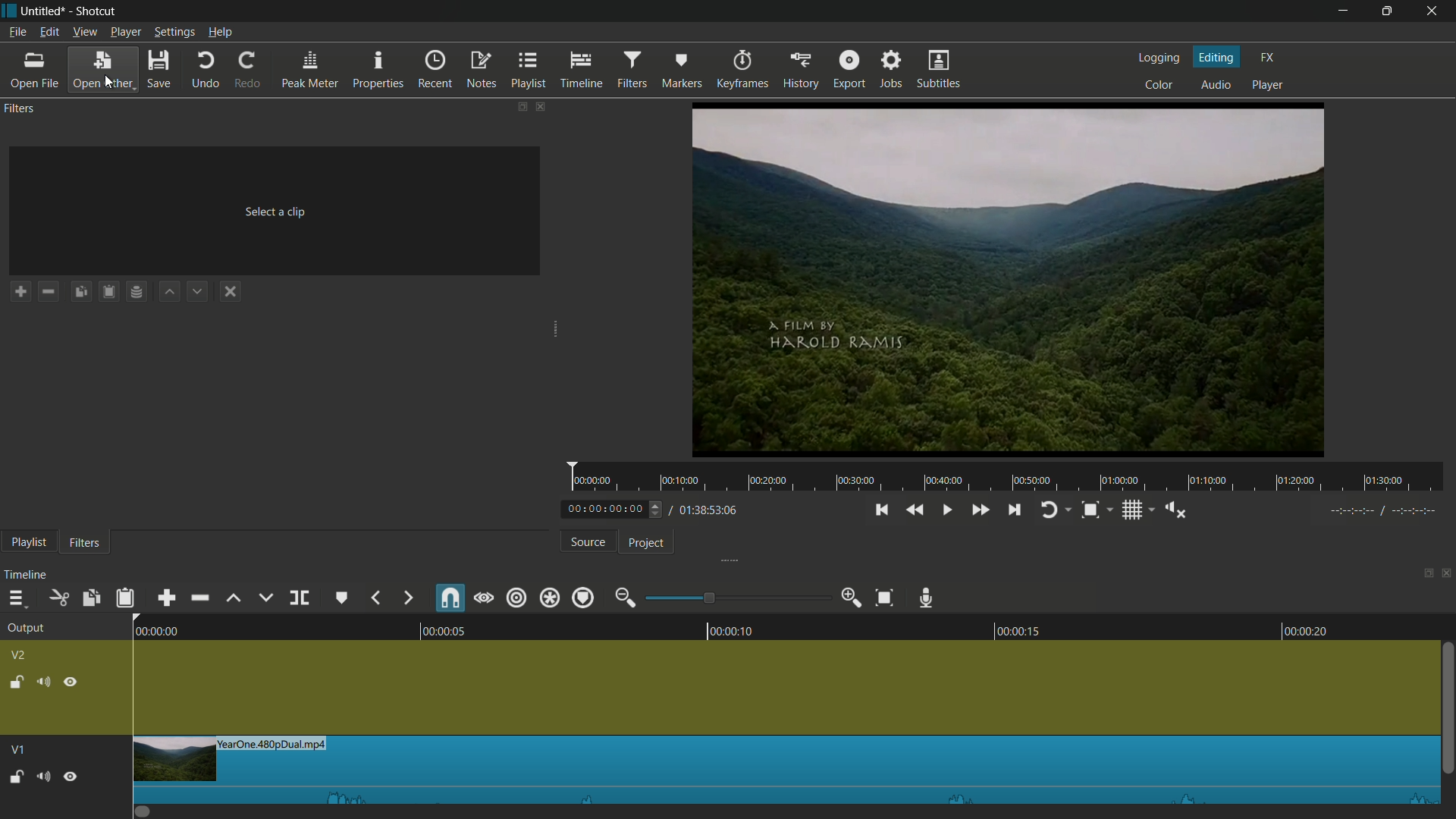 The height and width of the screenshot is (819, 1456). What do you see at coordinates (734, 629) in the screenshot?
I see `00:00:10` at bounding box center [734, 629].